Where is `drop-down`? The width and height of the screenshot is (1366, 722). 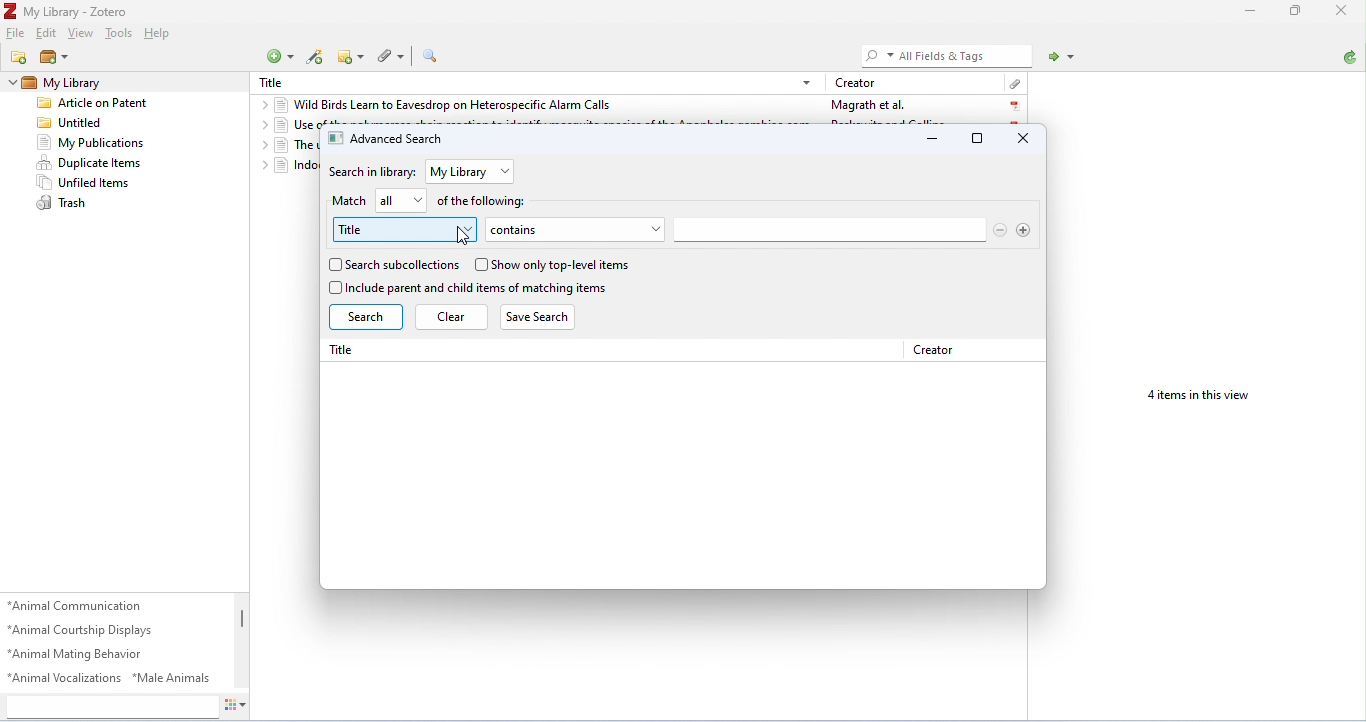
drop-down is located at coordinates (468, 230).